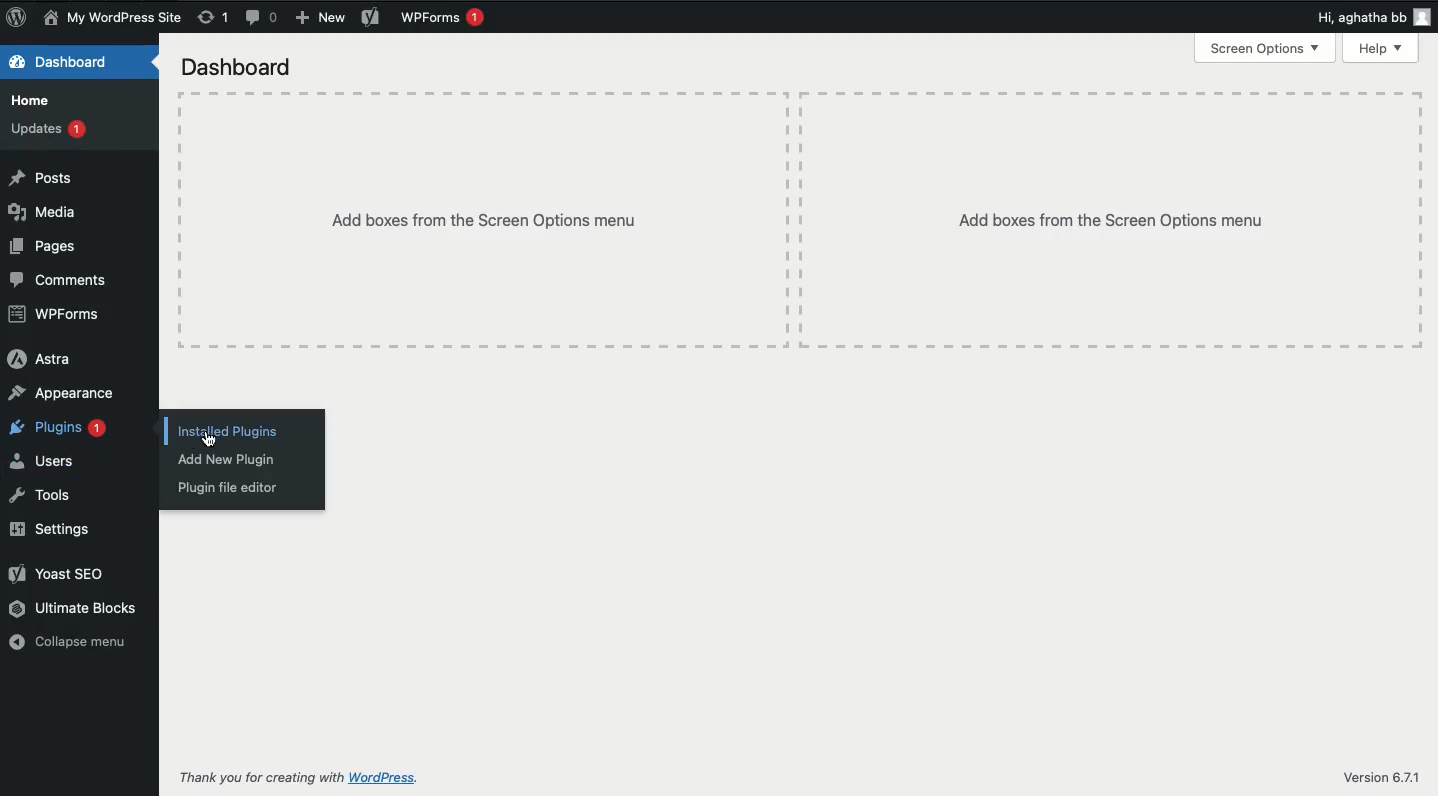 Image resolution: width=1438 pixels, height=796 pixels. I want to click on Name, so click(115, 19).